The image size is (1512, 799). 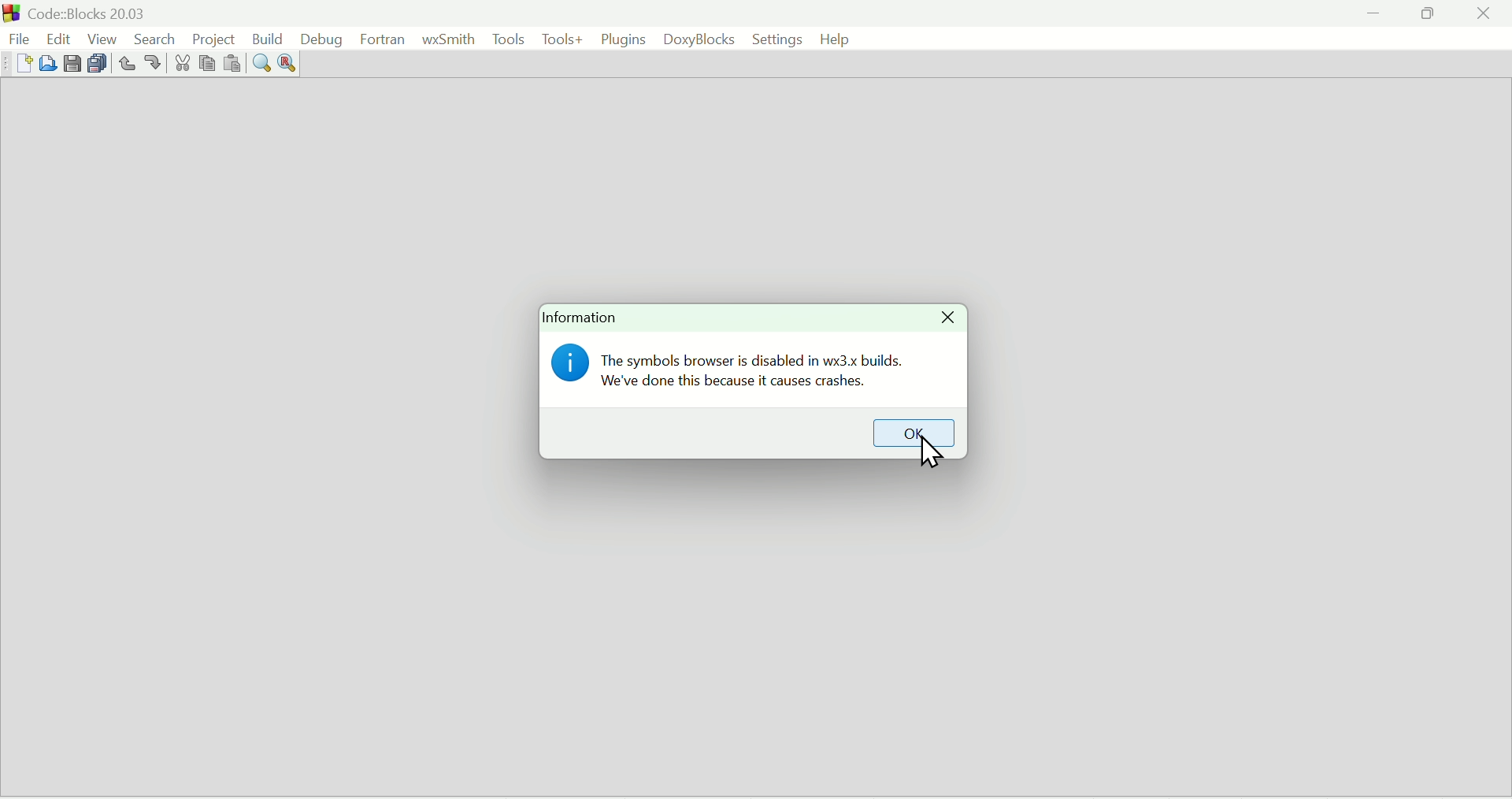 I want to click on minimize, so click(x=1373, y=13).